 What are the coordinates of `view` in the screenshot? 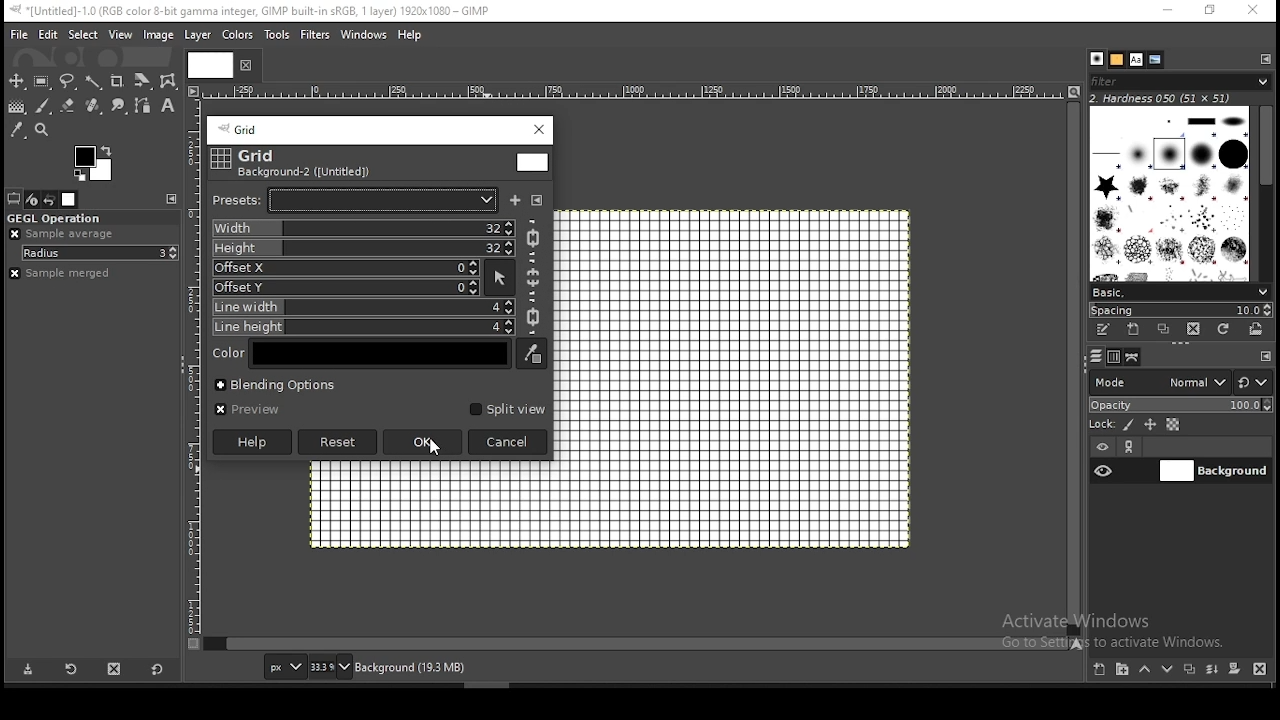 It's located at (120, 33).